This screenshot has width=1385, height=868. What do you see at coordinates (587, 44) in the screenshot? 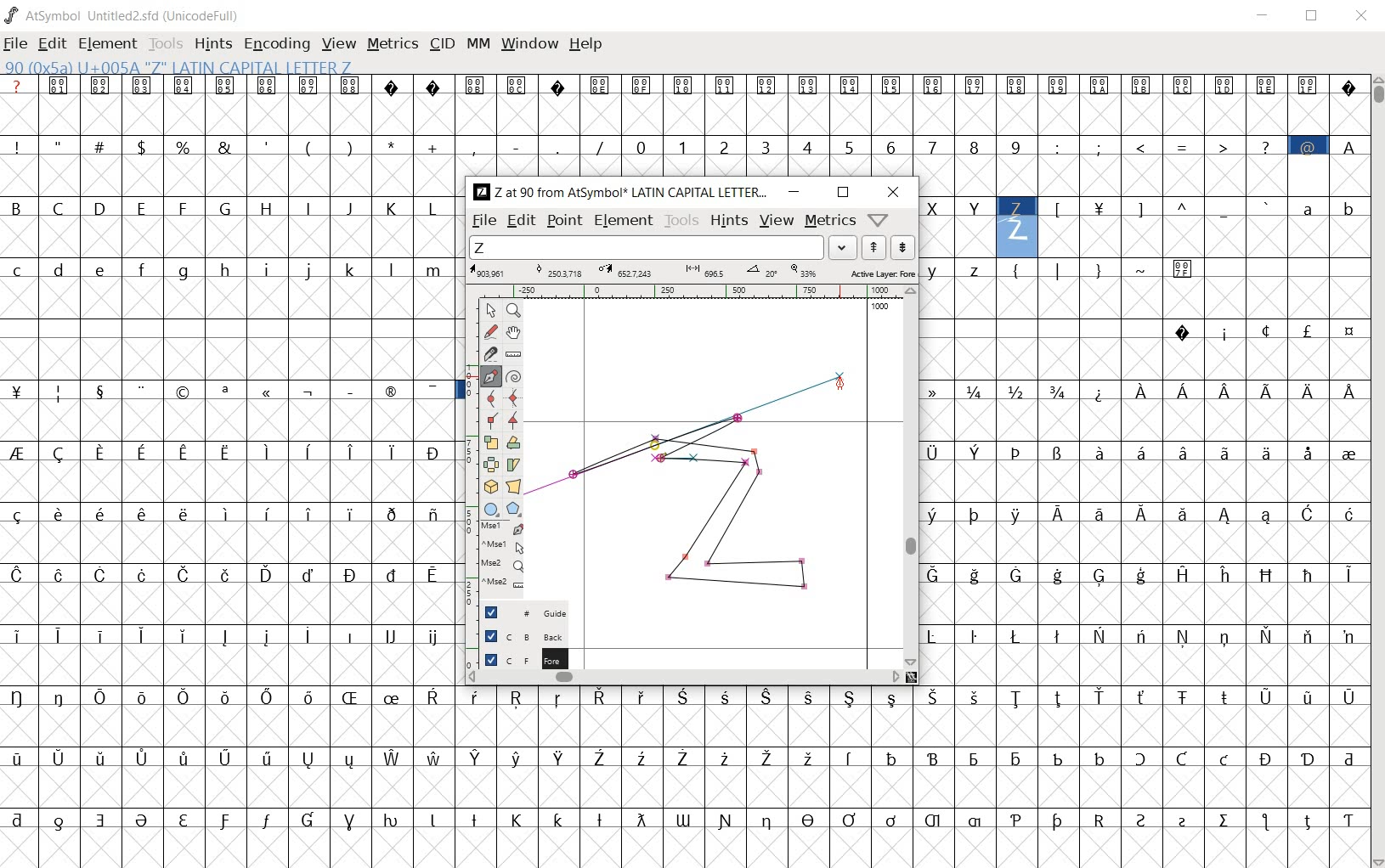
I see `help` at bounding box center [587, 44].